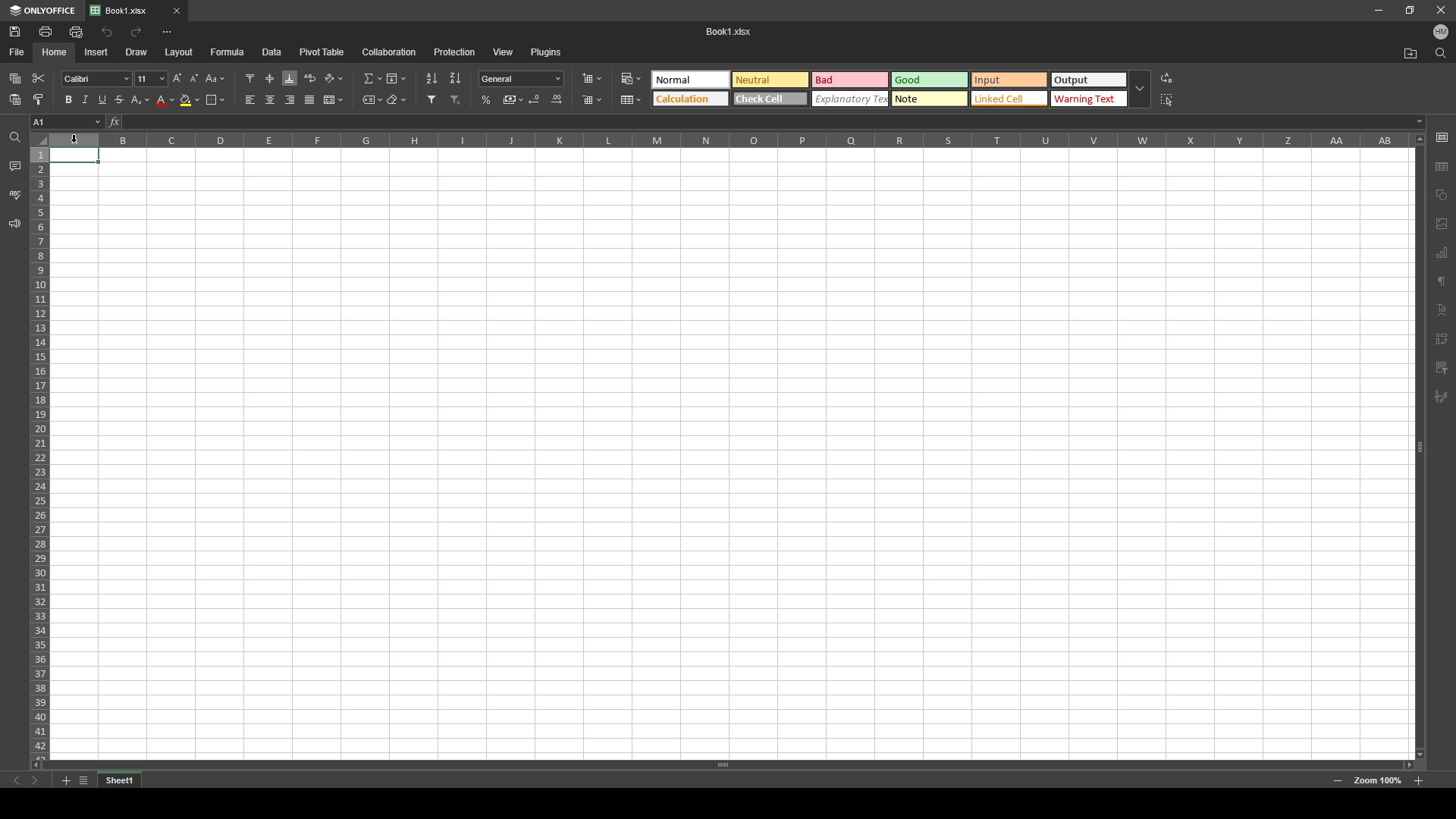 This screenshot has width=1456, height=819. What do you see at coordinates (322, 51) in the screenshot?
I see `pivot table` at bounding box center [322, 51].